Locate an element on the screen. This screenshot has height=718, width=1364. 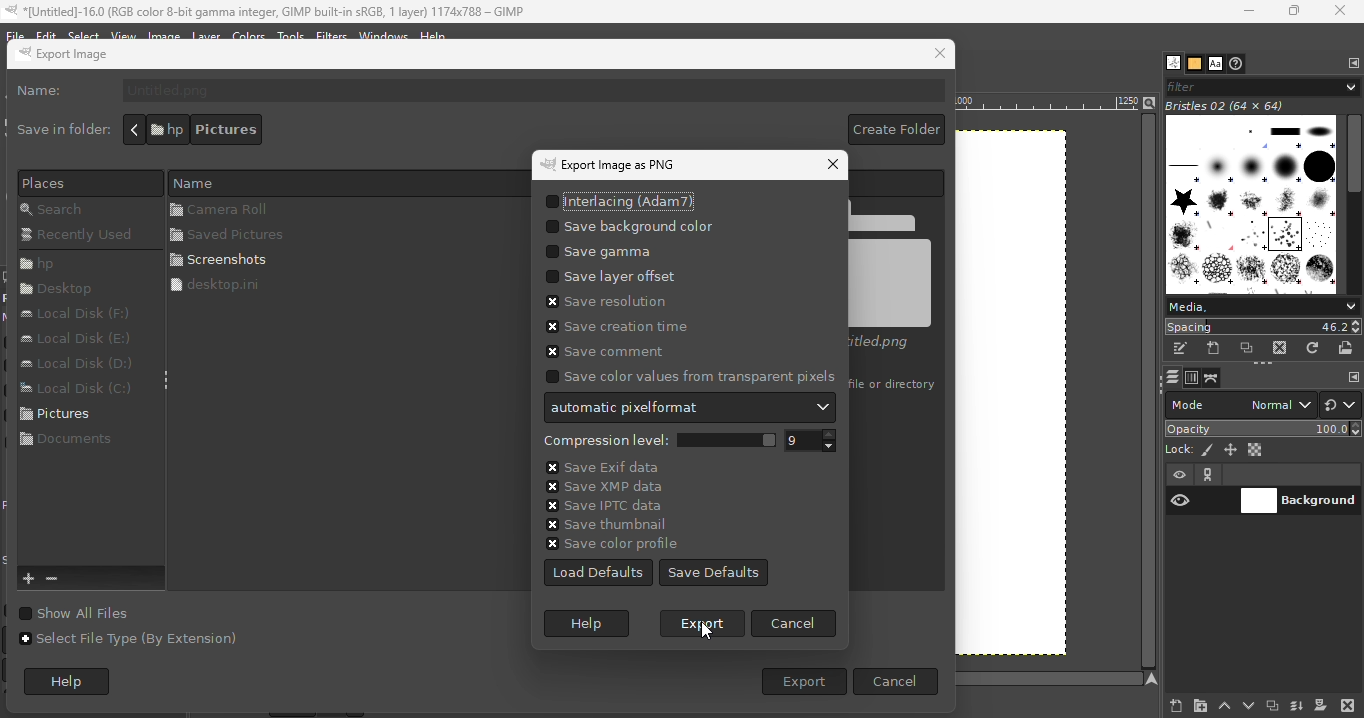
Help is located at coordinates (593, 624).